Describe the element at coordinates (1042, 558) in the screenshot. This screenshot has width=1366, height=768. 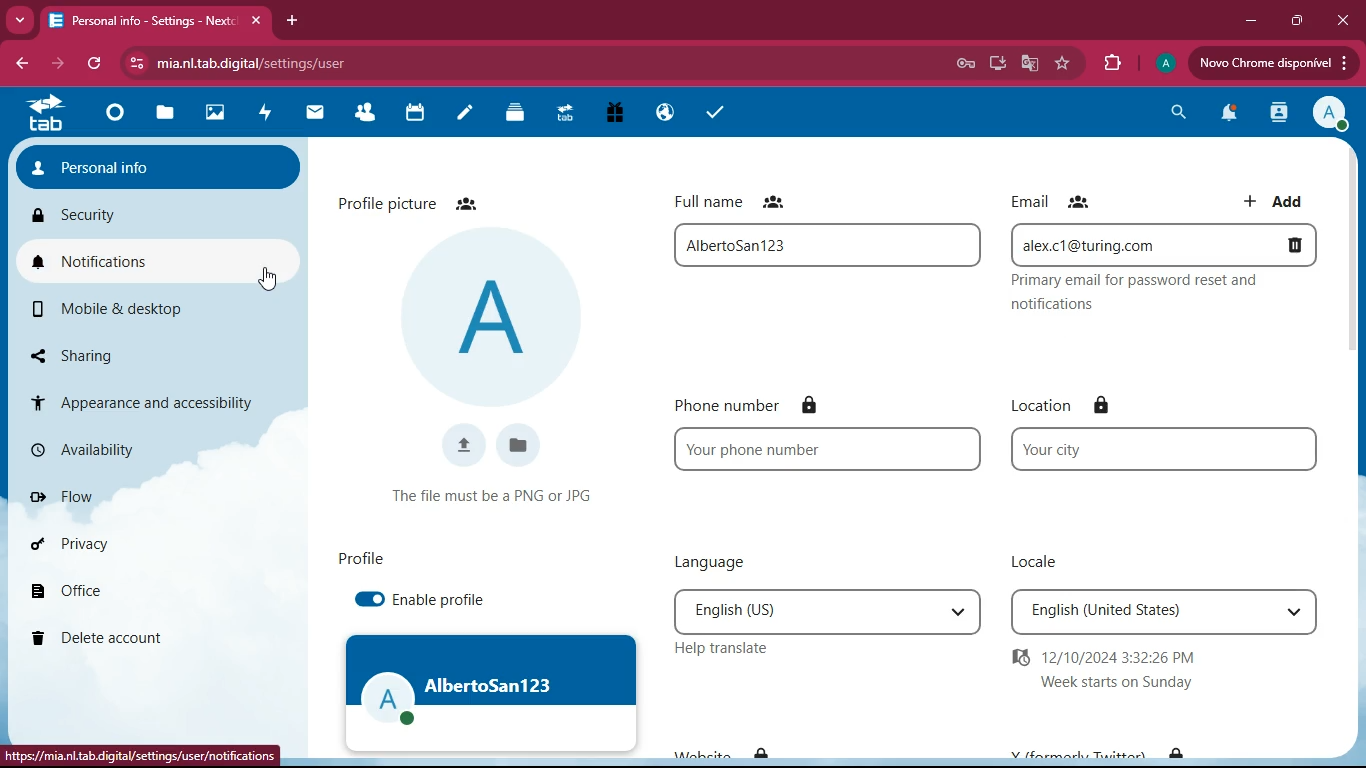
I see `locale` at that location.